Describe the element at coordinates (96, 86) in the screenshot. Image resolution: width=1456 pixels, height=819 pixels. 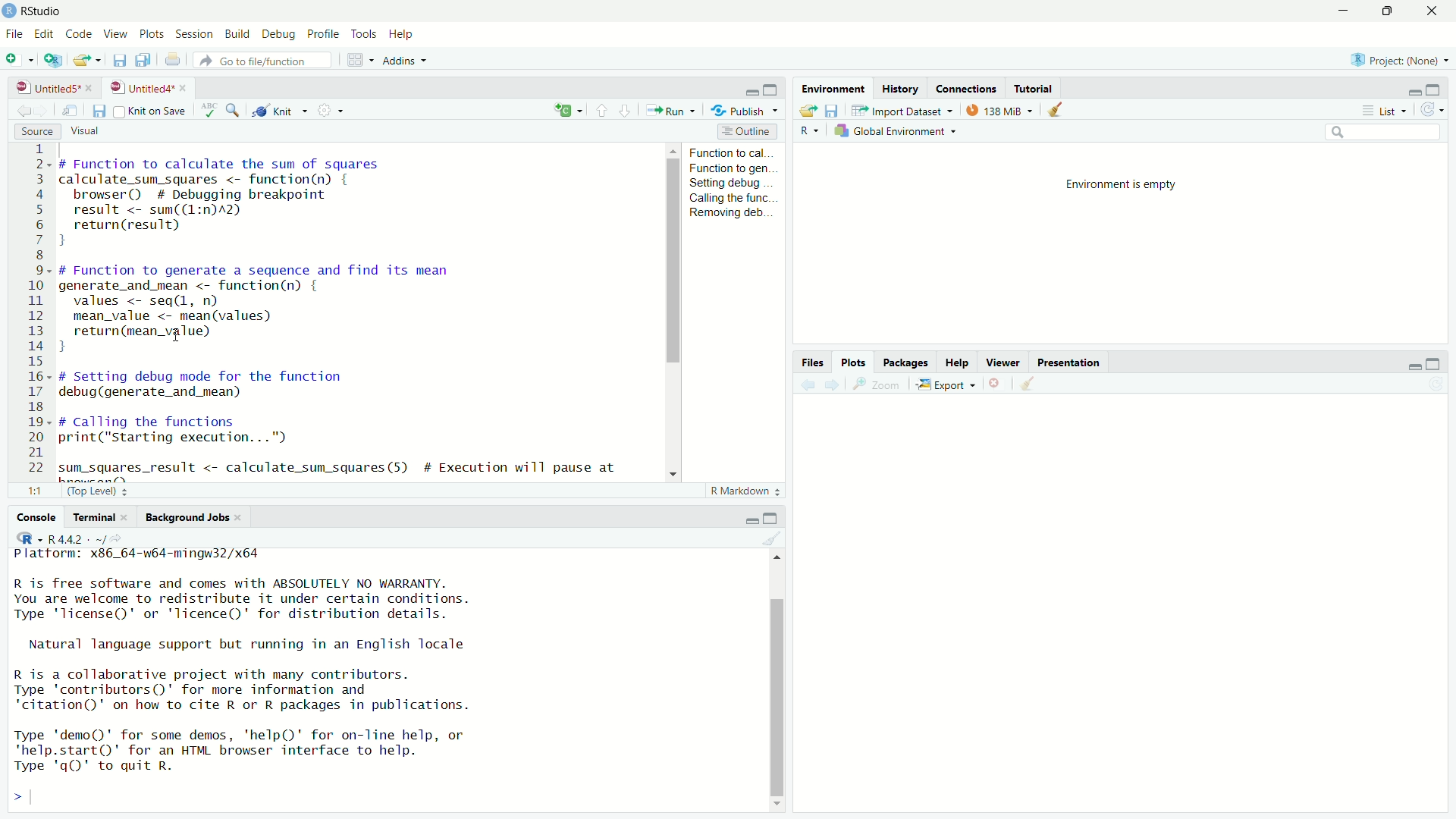
I see `close` at that location.